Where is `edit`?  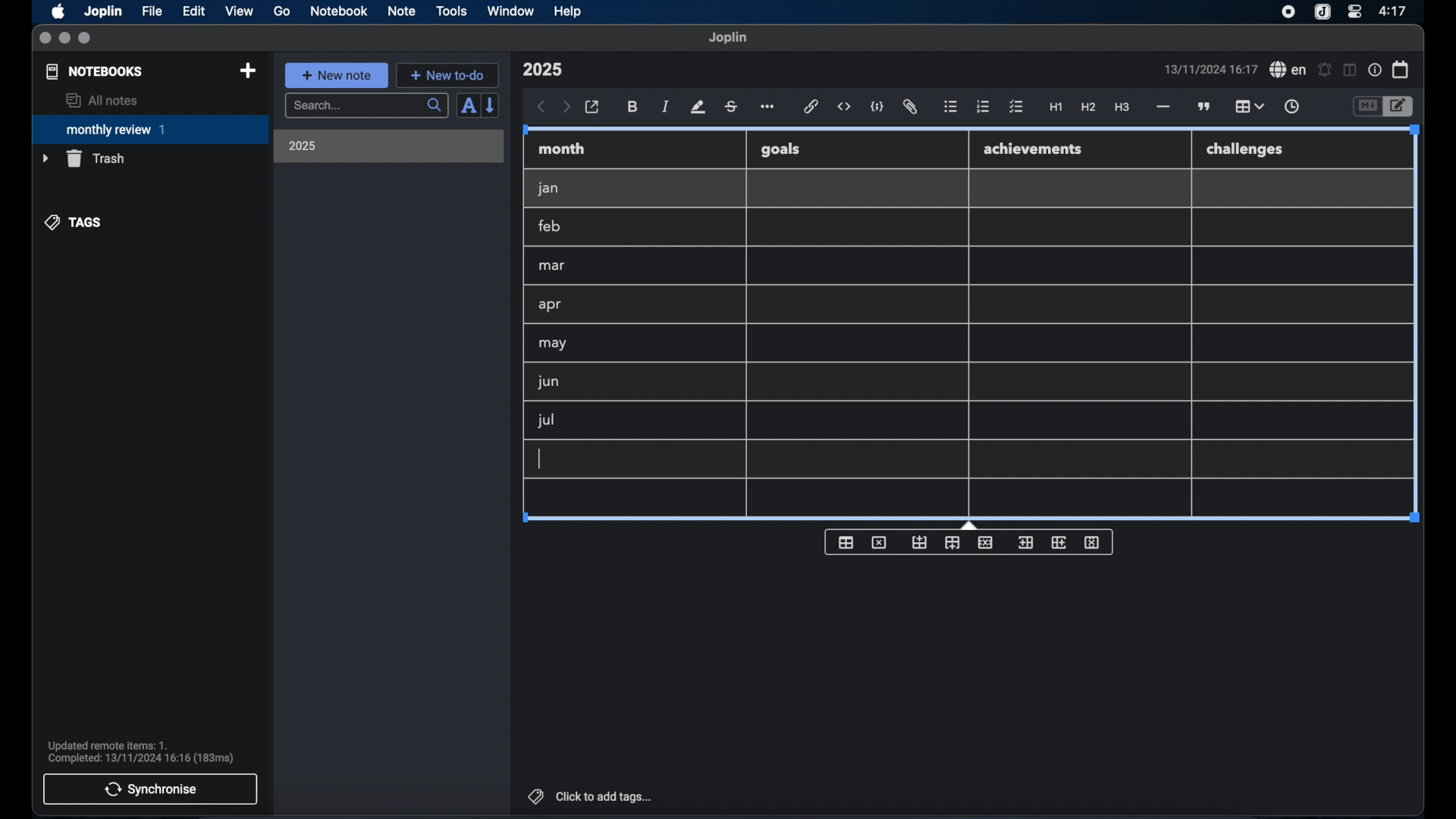 edit is located at coordinates (195, 11).